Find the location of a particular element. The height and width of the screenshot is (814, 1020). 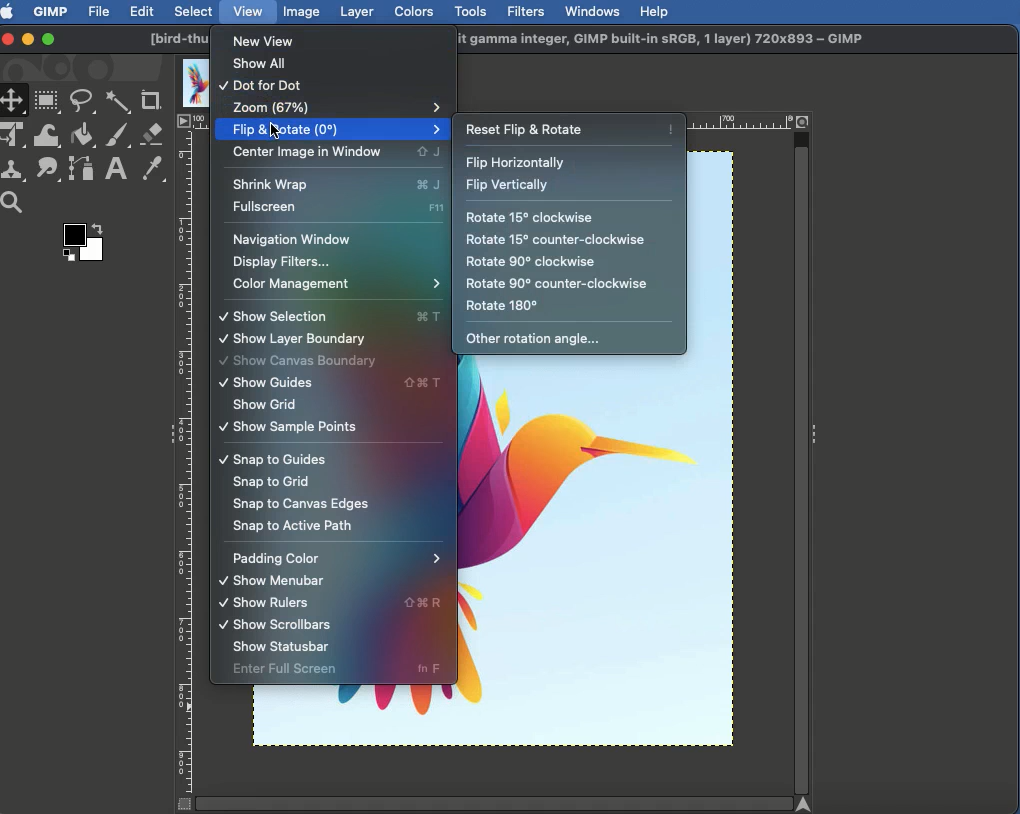

Color management is located at coordinates (334, 286).